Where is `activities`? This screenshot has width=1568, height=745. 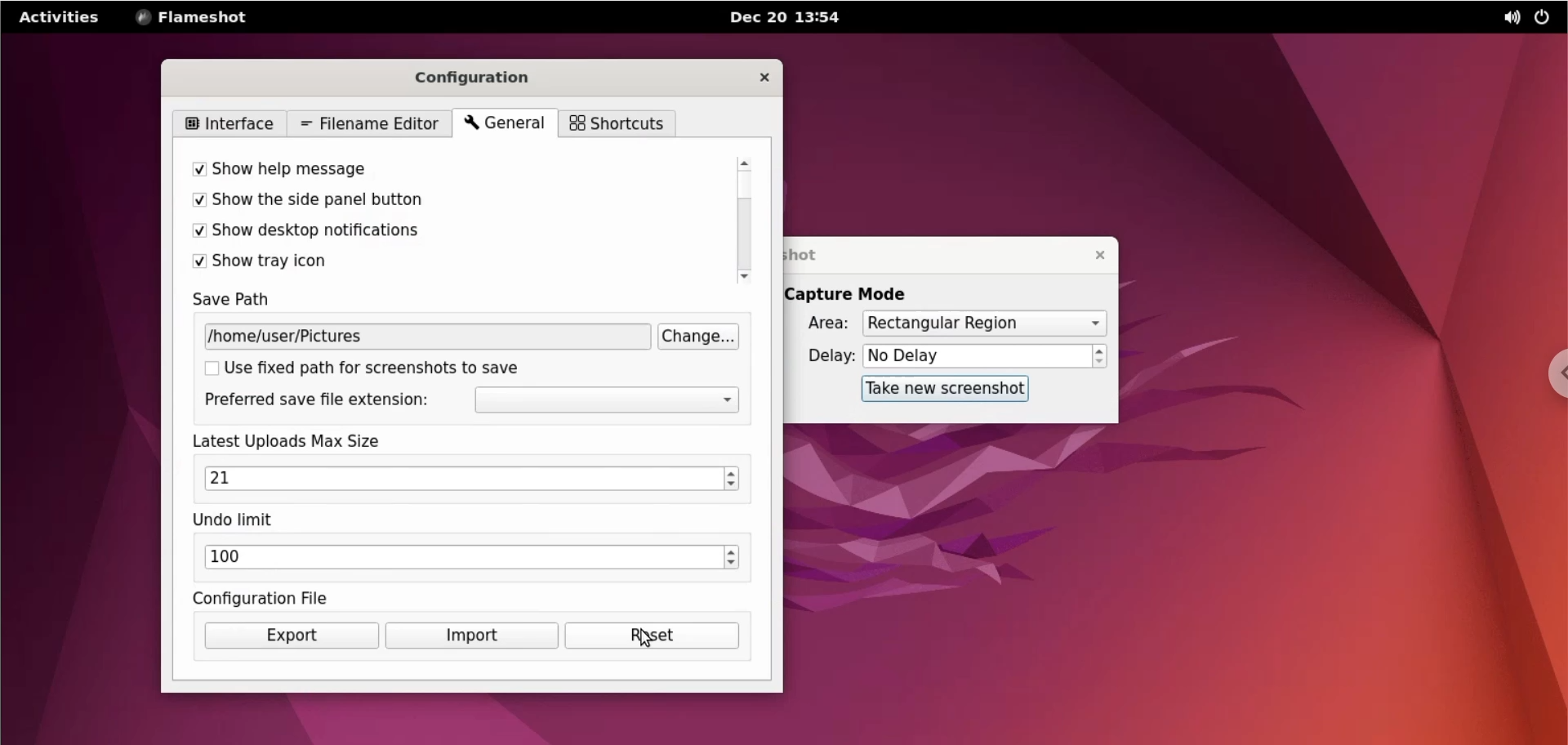 activities is located at coordinates (61, 16).